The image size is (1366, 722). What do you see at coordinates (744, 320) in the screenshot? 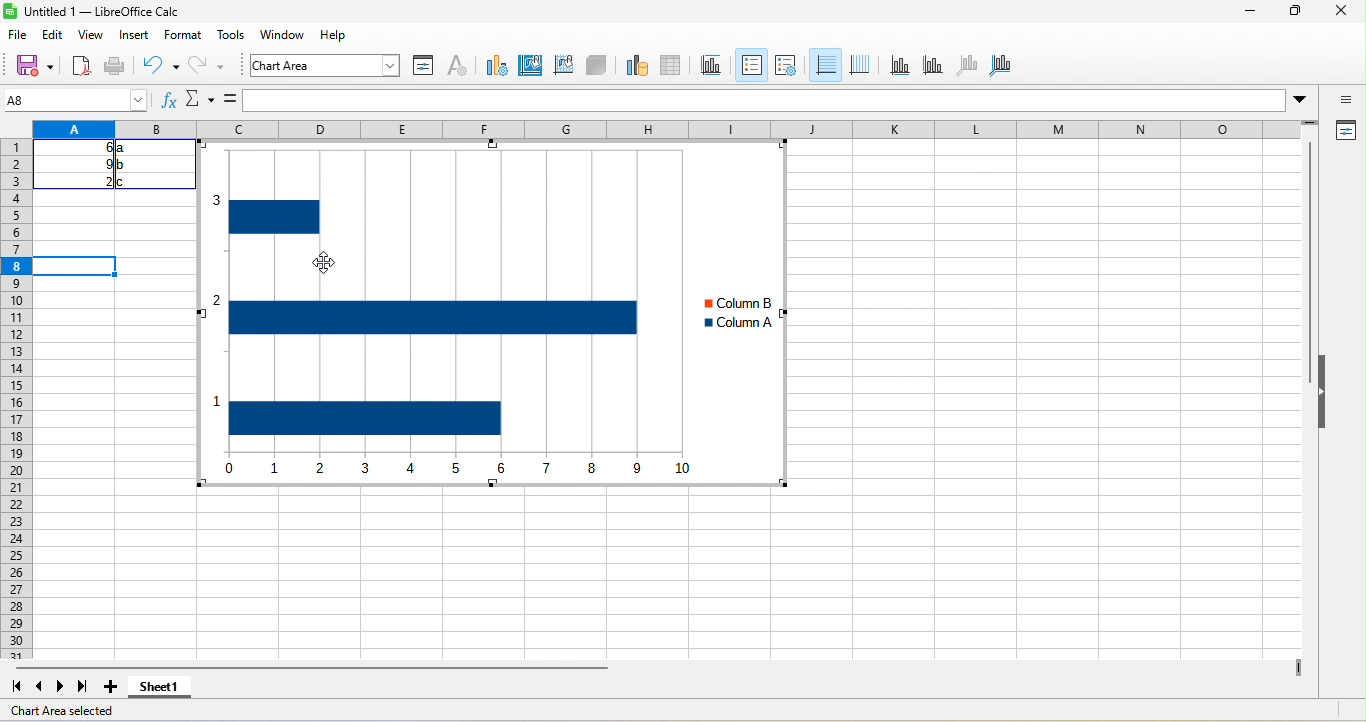
I see `column a` at bounding box center [744, 320].